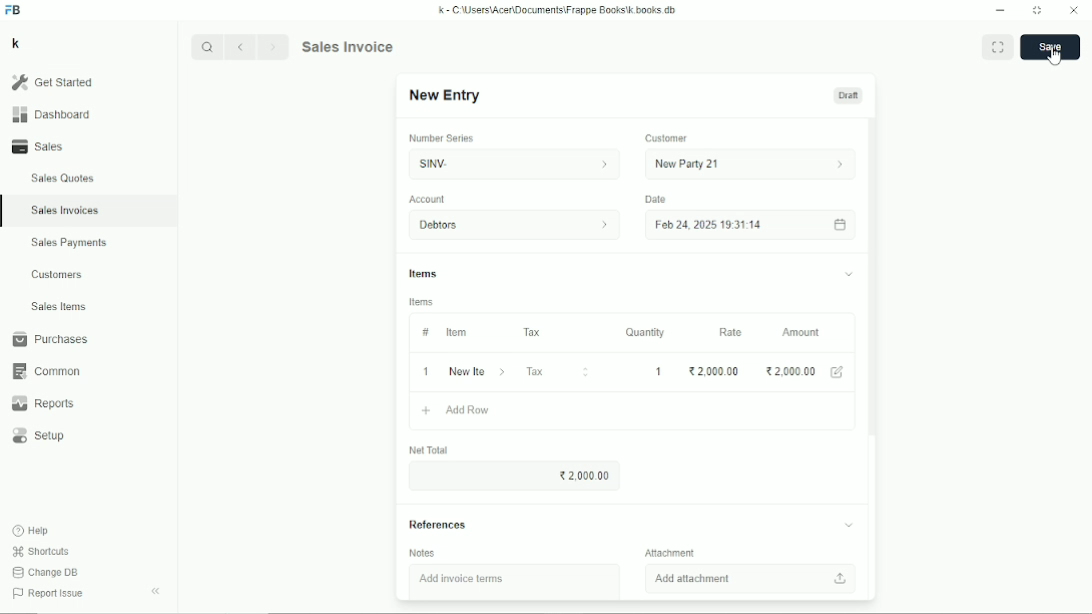 The width and height of the screenshot is (1092, 614). I want to click on Common, so click(44, 371).